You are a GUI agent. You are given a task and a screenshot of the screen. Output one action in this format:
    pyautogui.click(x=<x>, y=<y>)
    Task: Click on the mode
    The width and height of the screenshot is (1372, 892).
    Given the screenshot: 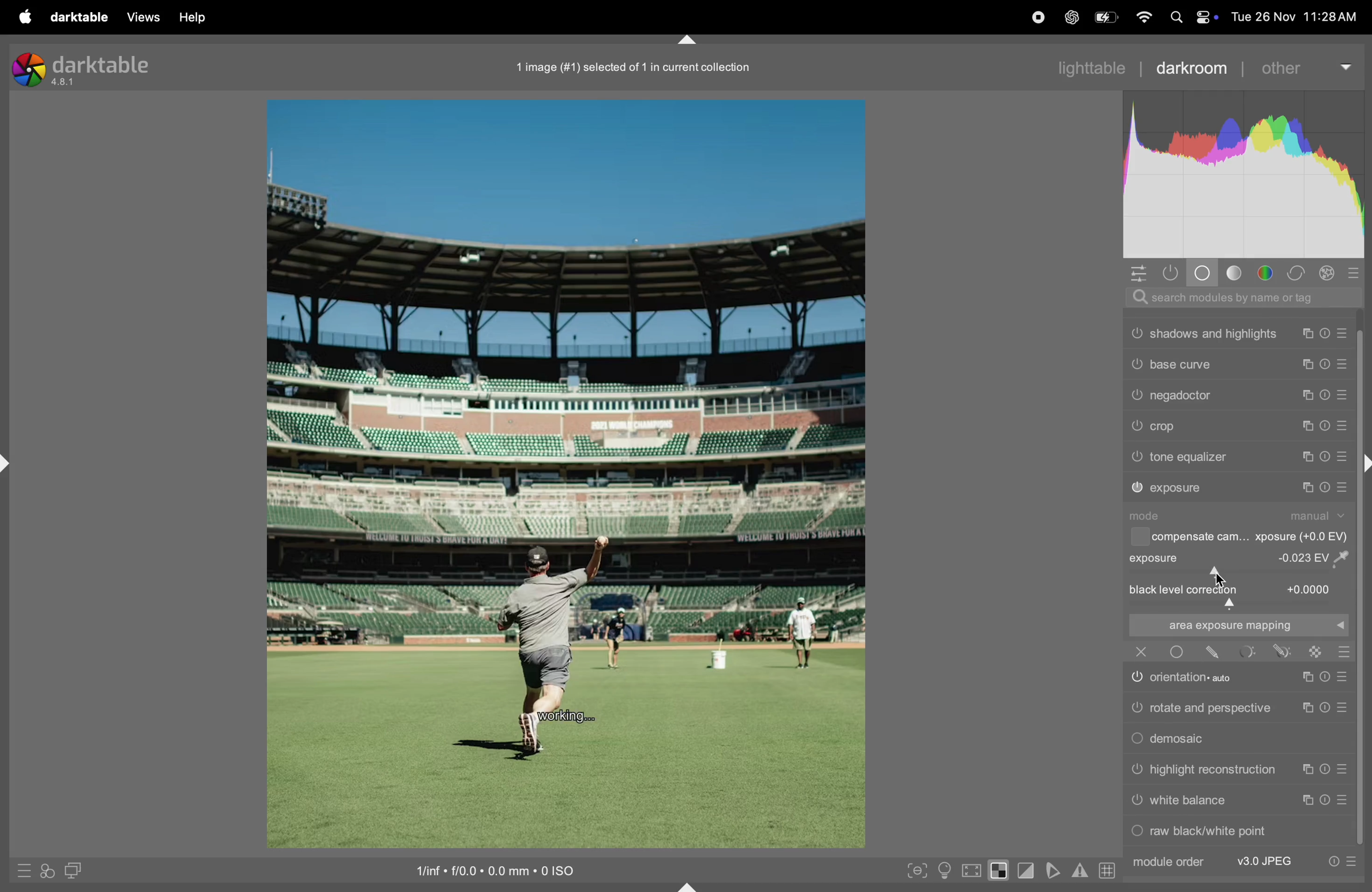 What is the action you would take?
    pyautogui.click(x=1149, y=516)
    